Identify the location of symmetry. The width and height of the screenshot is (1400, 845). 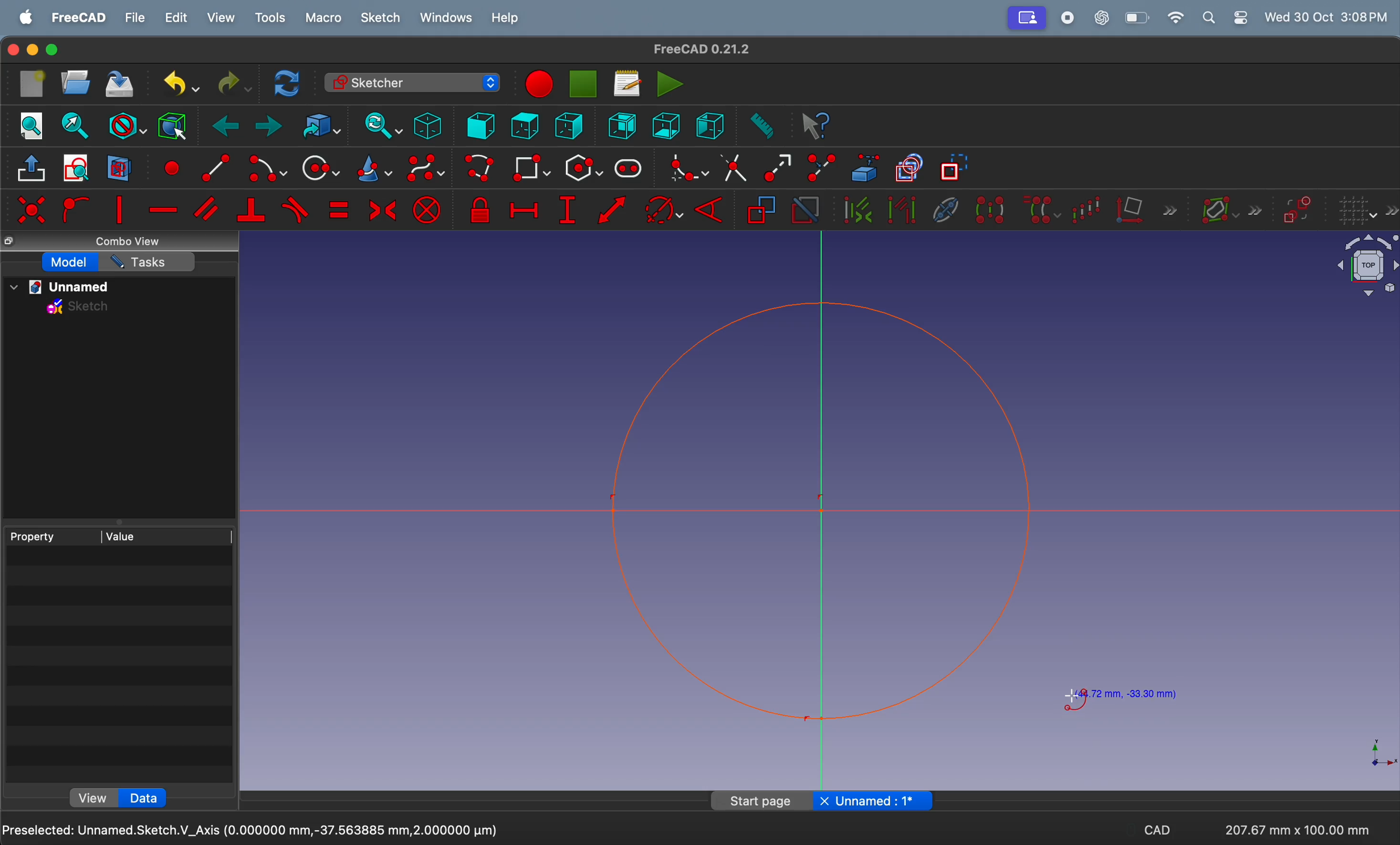
(989, 209).